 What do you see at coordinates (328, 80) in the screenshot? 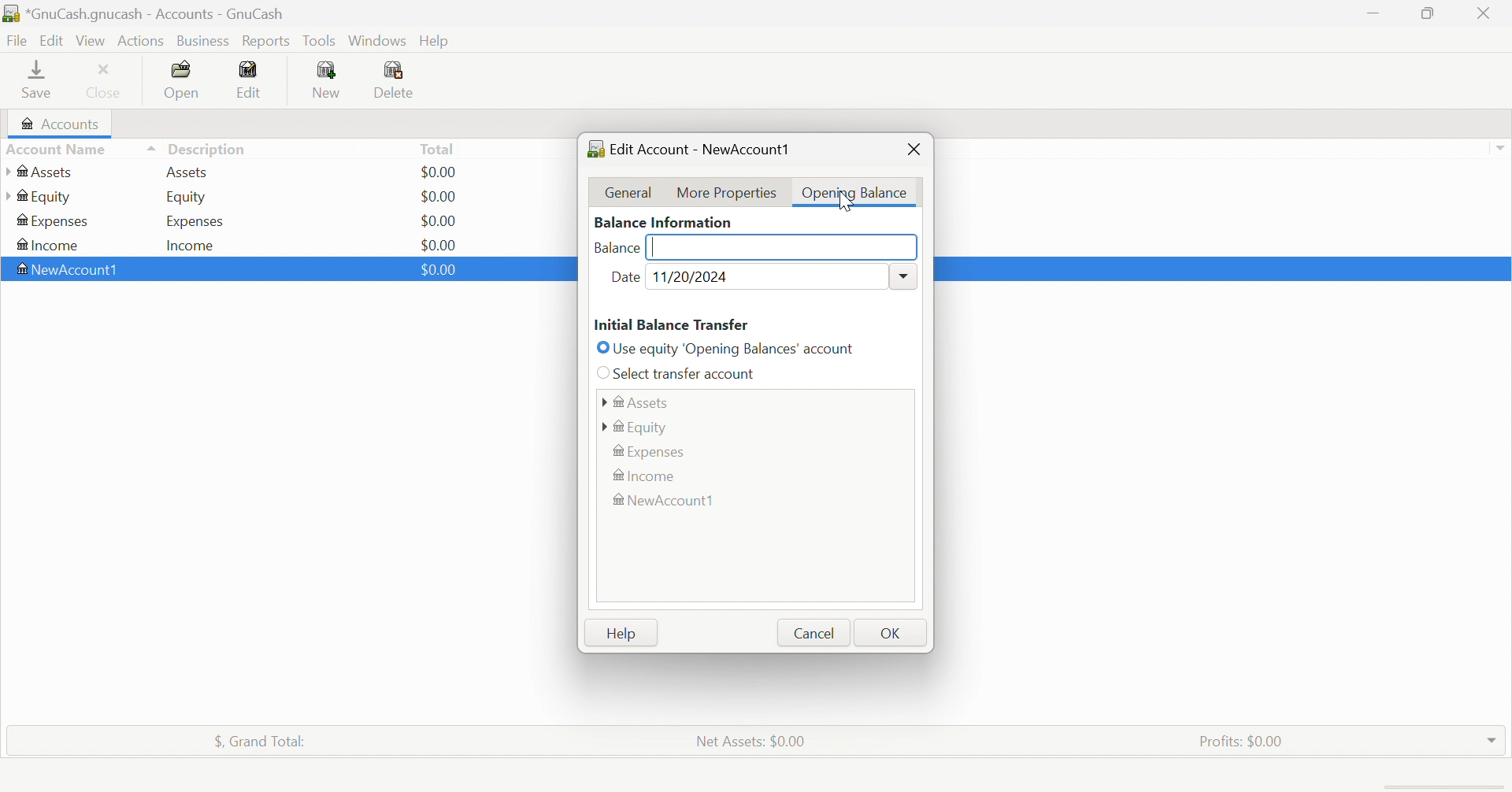
I see `New` at bounding box center [328, 80].